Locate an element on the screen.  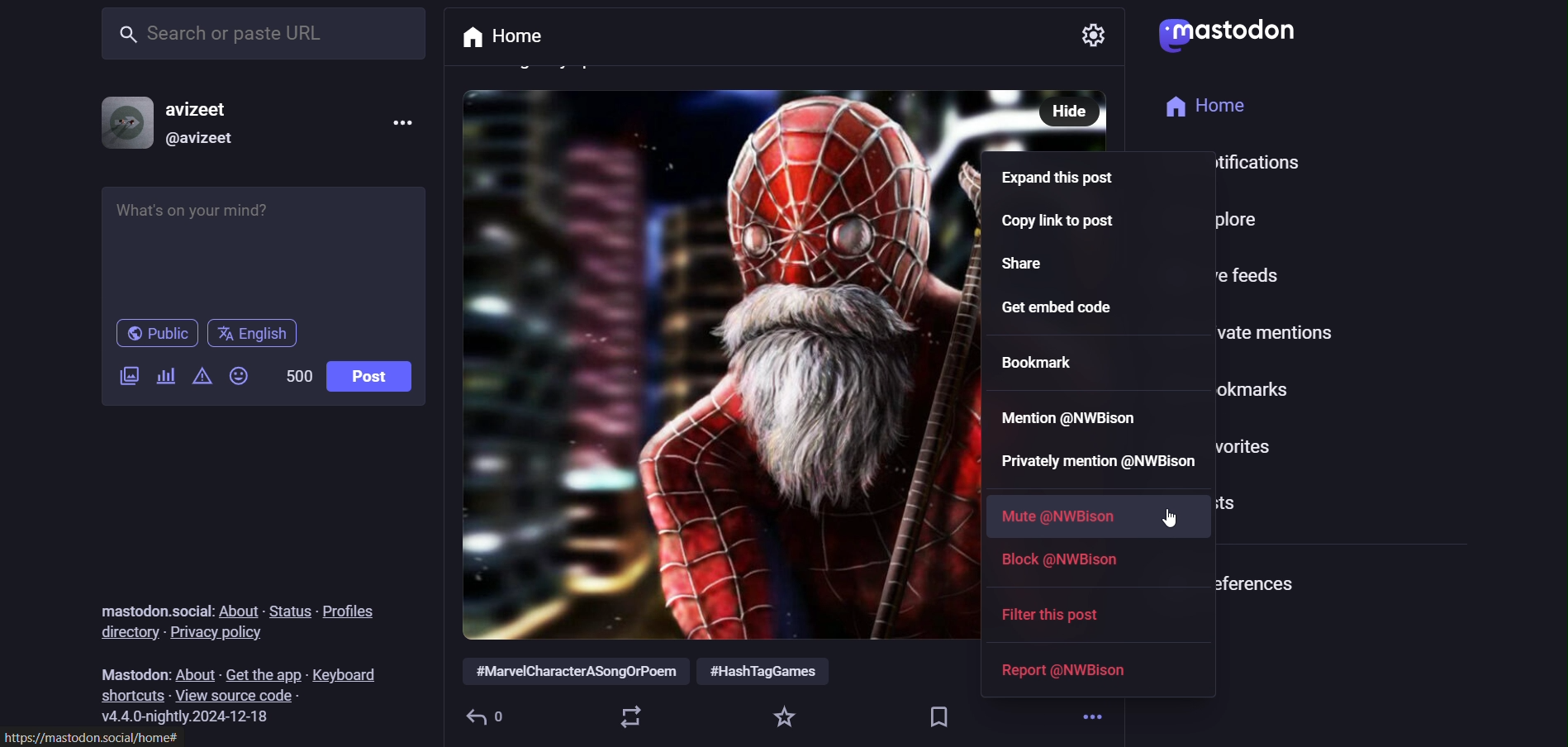
privacy policy is located at coordinates (221, 633).